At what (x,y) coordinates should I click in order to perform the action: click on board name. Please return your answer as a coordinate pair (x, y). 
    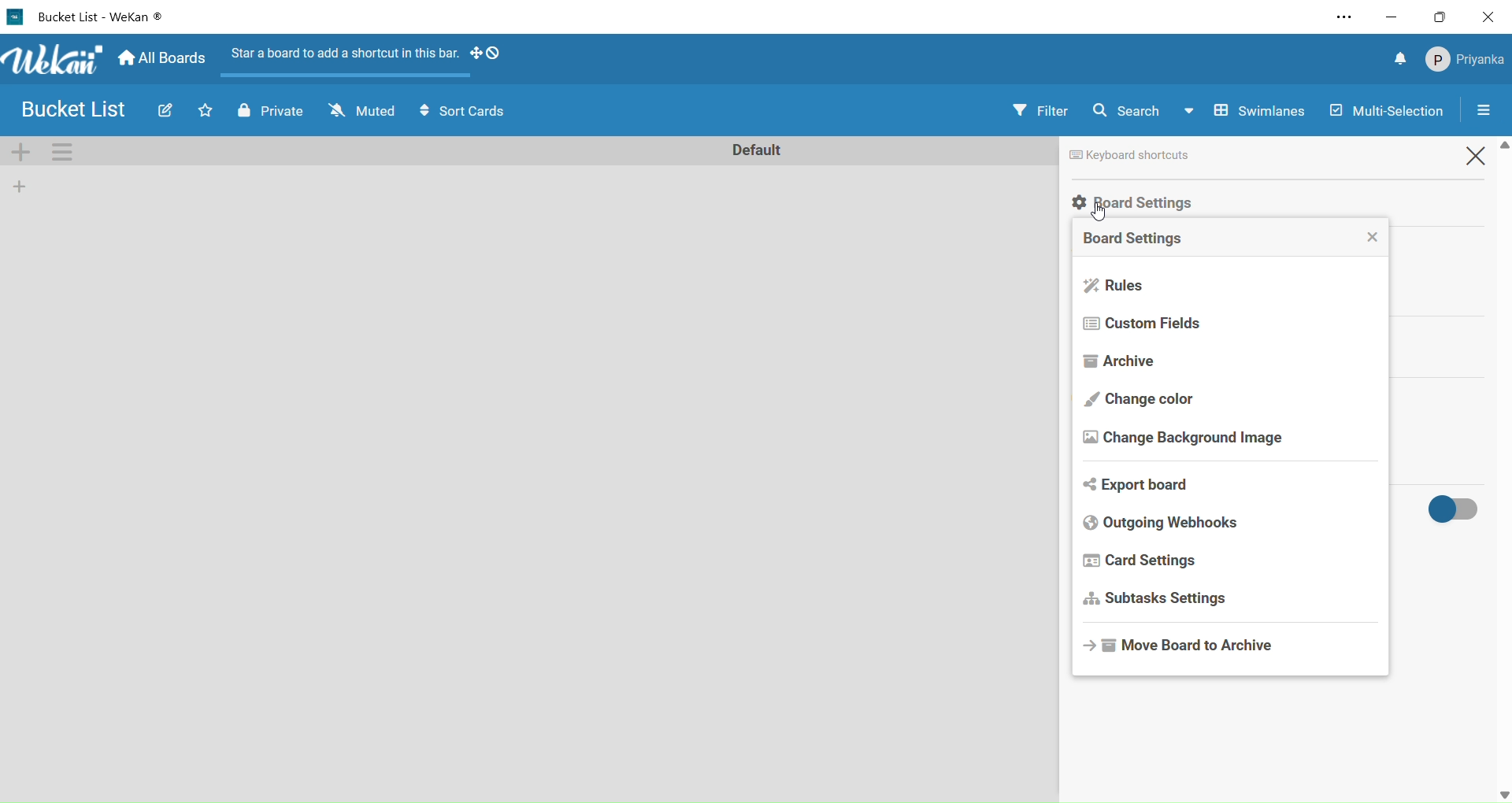
    Looking at the image, I should click on (104, 18).